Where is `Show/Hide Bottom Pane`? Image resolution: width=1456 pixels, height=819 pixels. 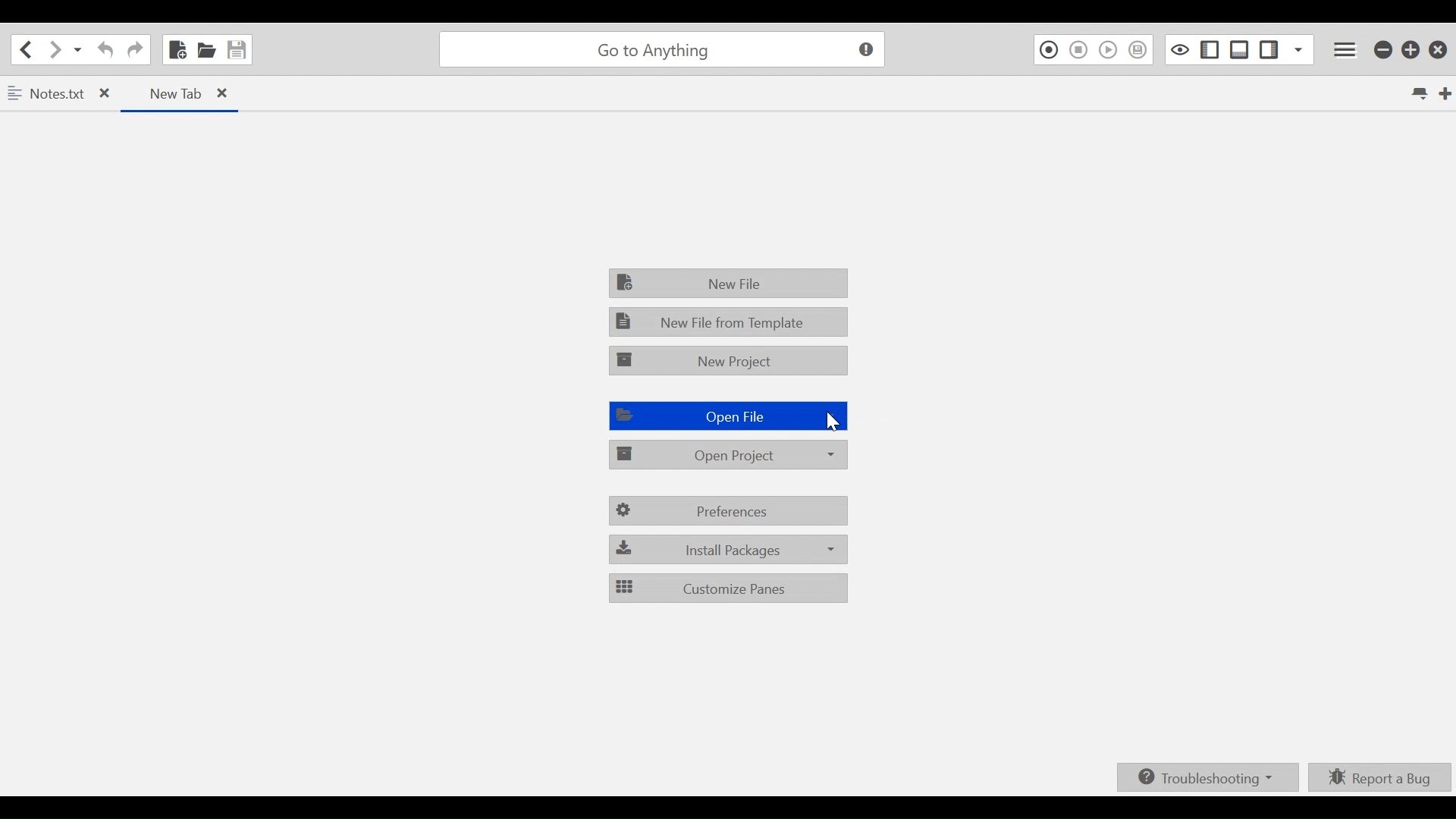 Show/Hide Bottom Pane is located at coordinates (1241, 49).